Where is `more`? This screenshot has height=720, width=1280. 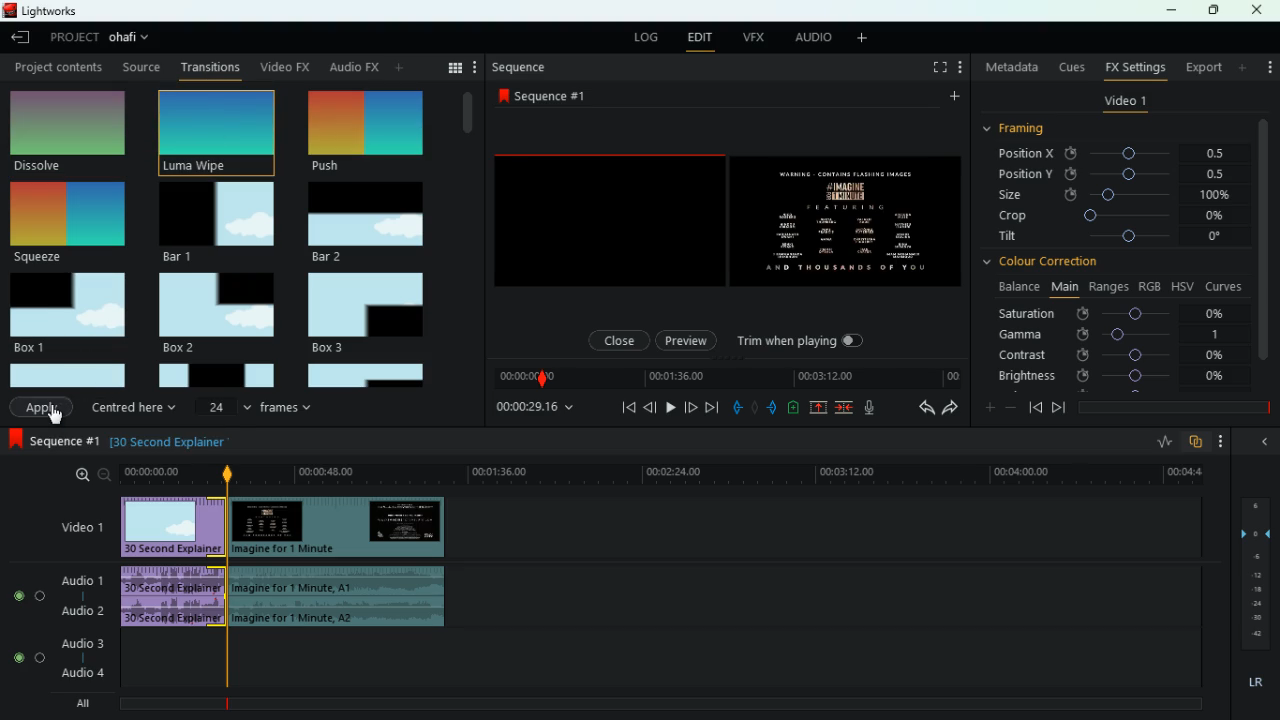
more is located at coordinates (866, 39).